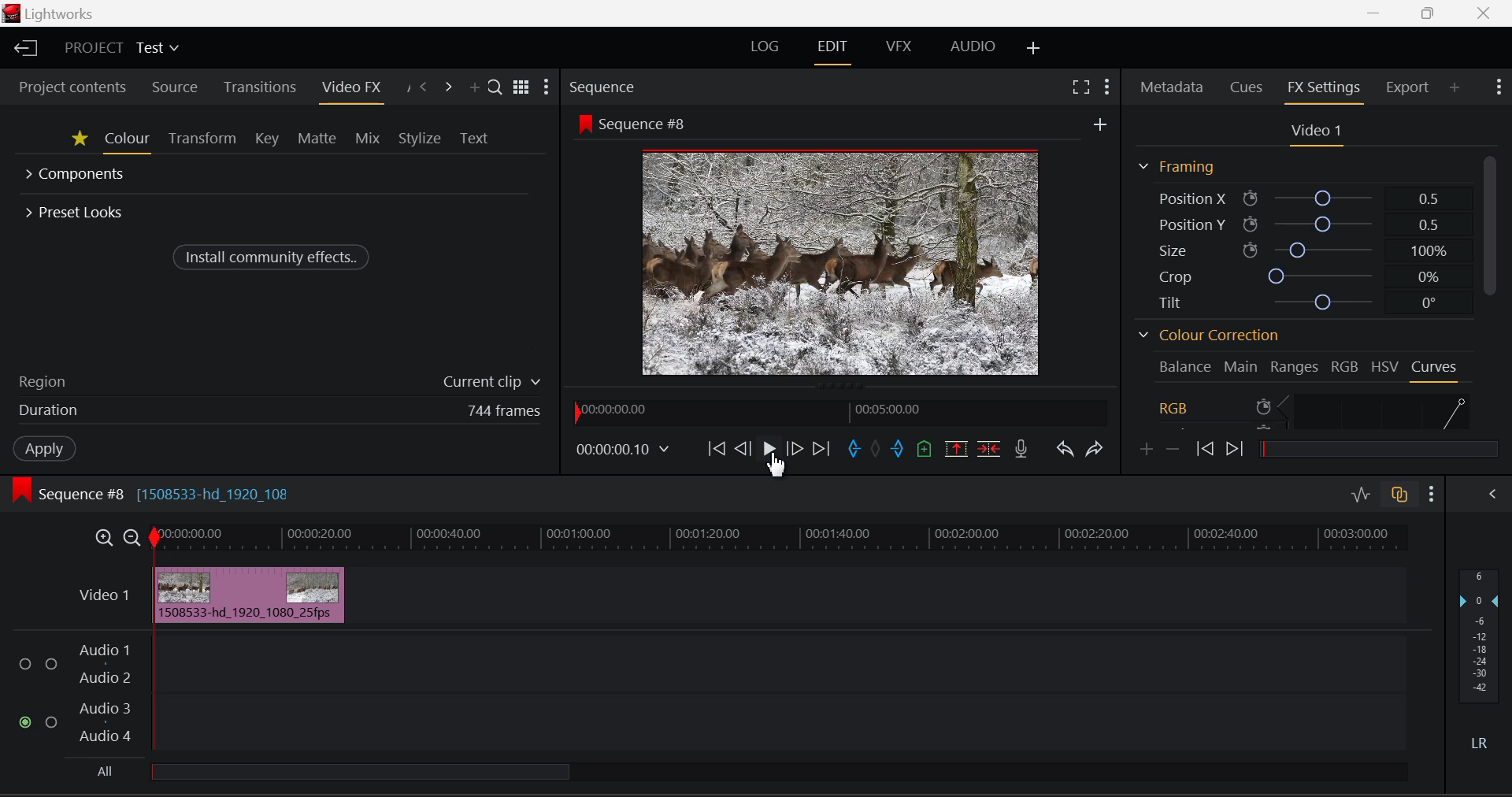 The height and width of the screenshot is (797, 1512). Describe the element at coordinates (448, 85) in the screenshot. I see `Next Panel` at that location.